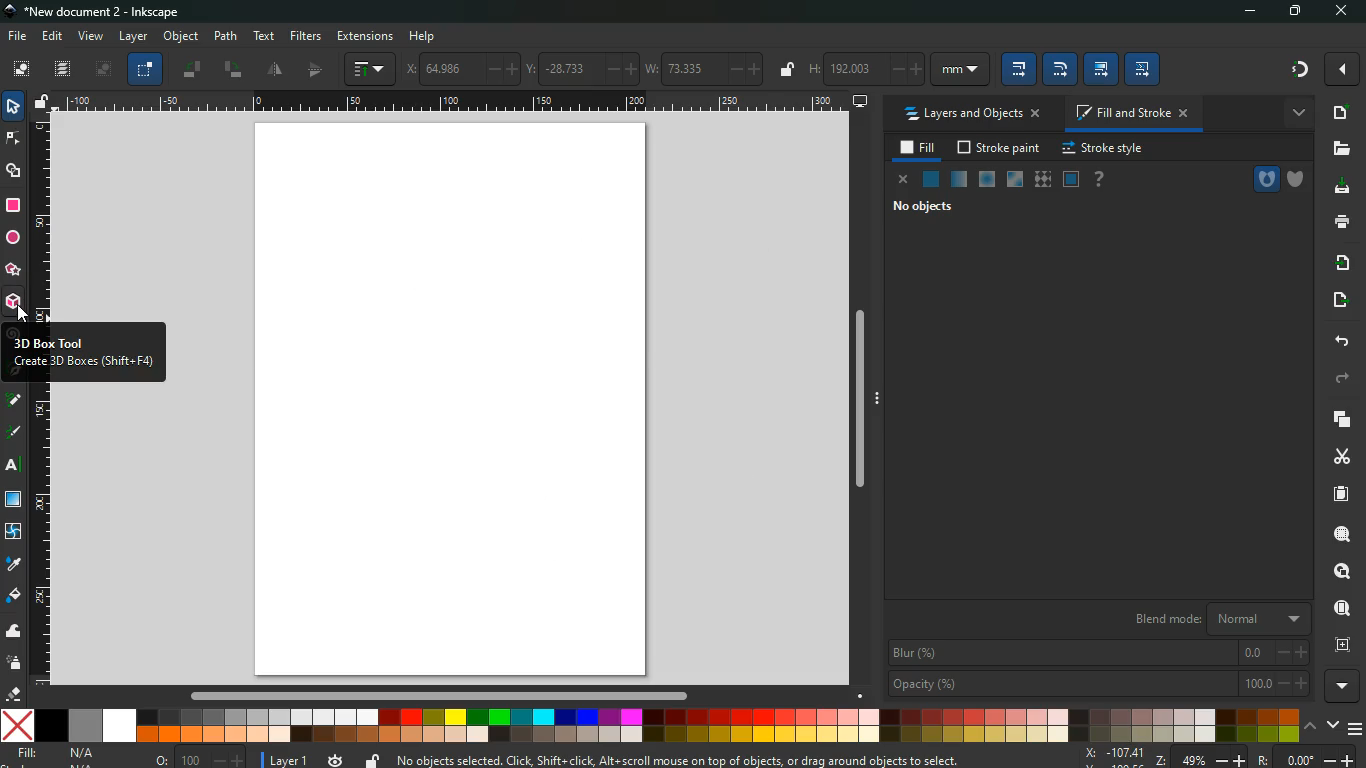  Describe the element at coordinates (318, 69) in the screenshot. I see `half` at that location.